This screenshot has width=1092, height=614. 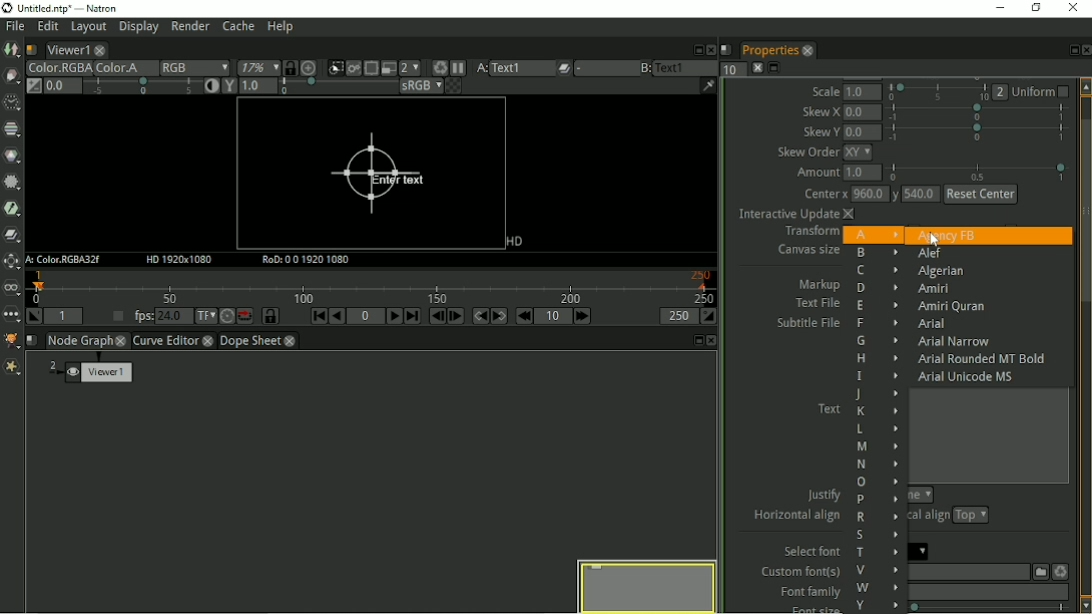 What do you see at coordinates (894, 196) in the screenshot?
I see `y` at bounding box center [894, 196].